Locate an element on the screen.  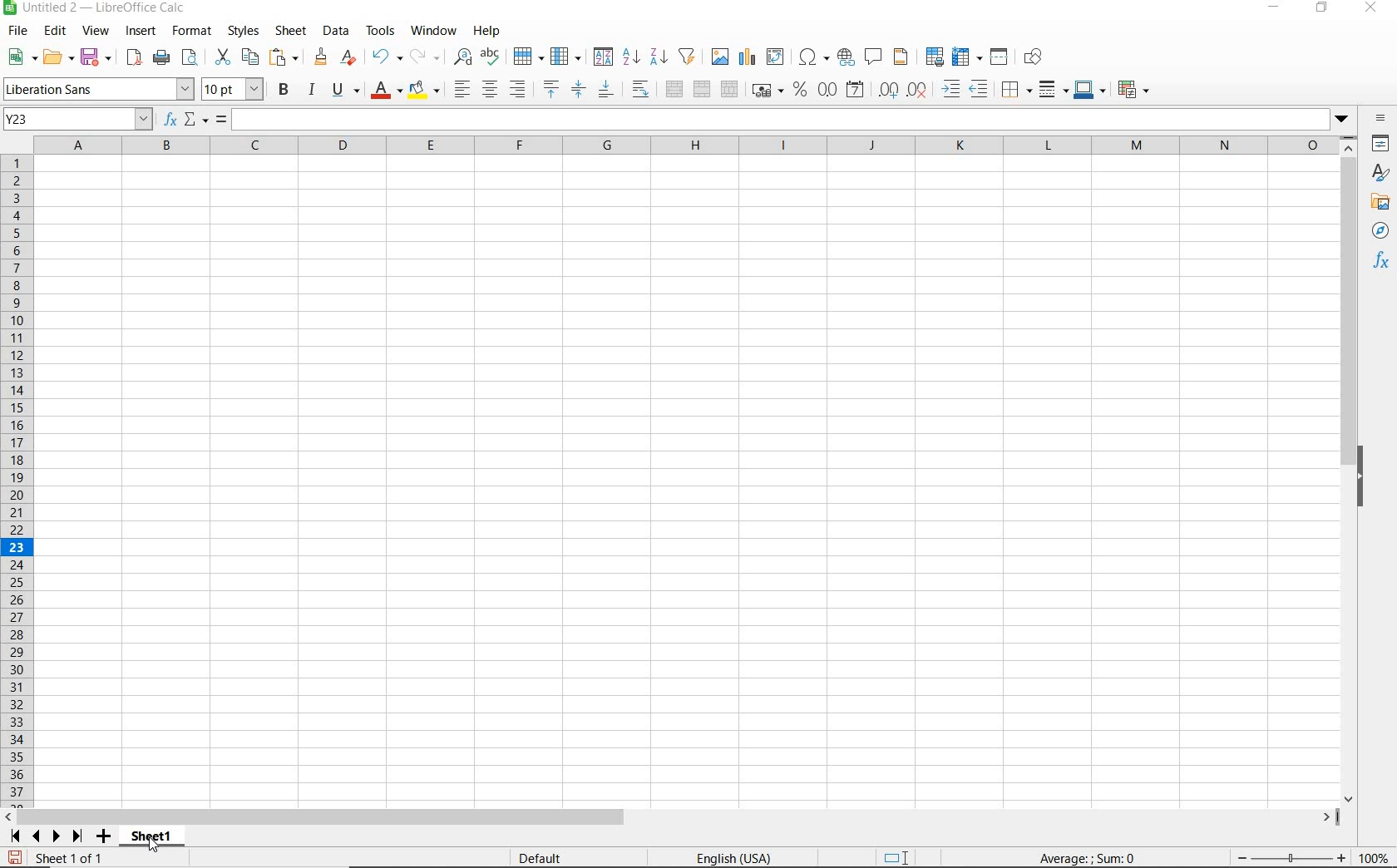
UNMERGE CELLS is located at coordinates (729, 90).